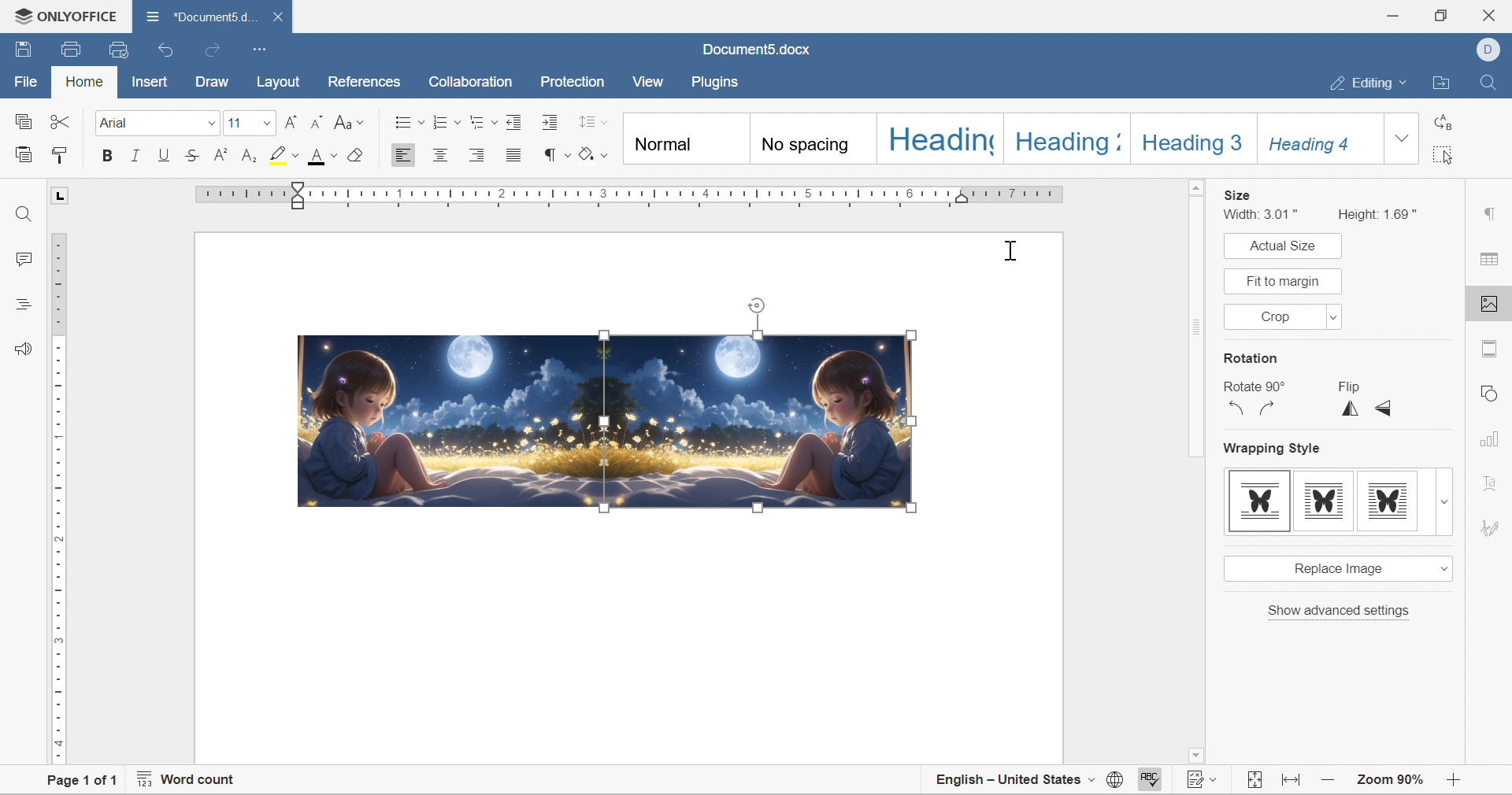 Image resolution: width=1512 pixels, height=795 pixels. I want to click on highlight color, so click(286, 154).